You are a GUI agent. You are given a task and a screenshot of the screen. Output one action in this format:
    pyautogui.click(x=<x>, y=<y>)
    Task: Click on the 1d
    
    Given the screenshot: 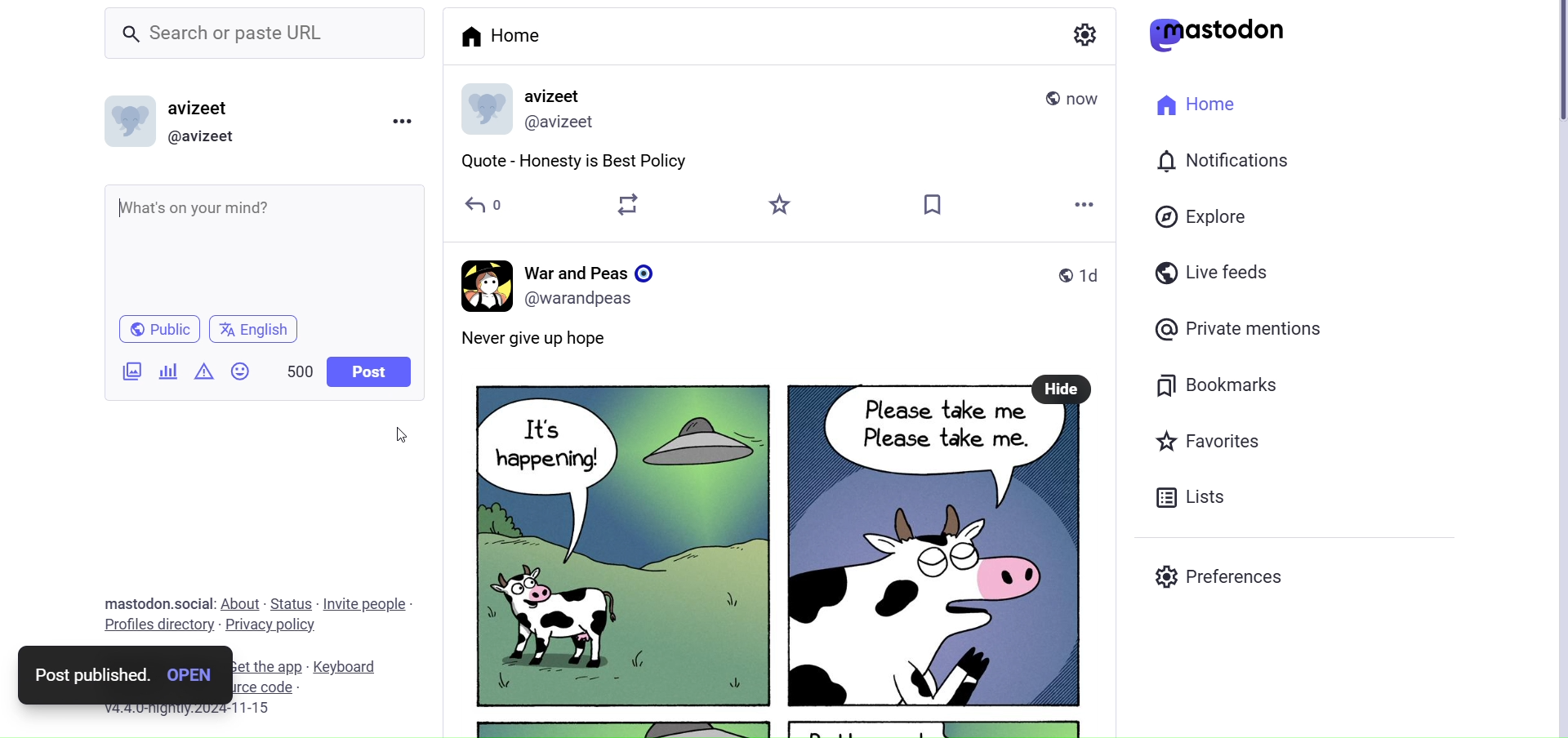 What is the action you would take?
    pyautogui.click(x=1094, y=273)
    